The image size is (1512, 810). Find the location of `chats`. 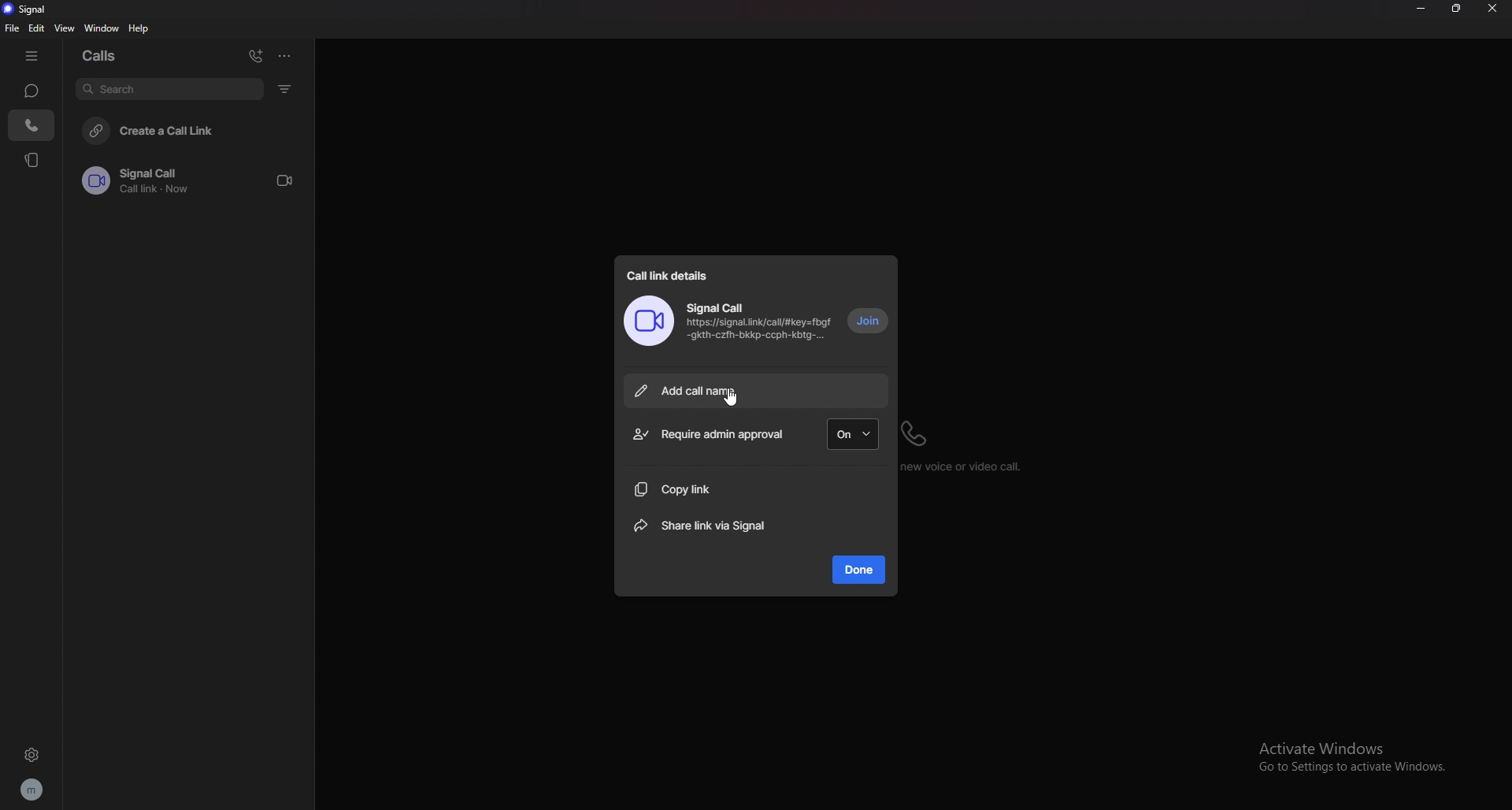

chats is located at coordinates (31, 90).